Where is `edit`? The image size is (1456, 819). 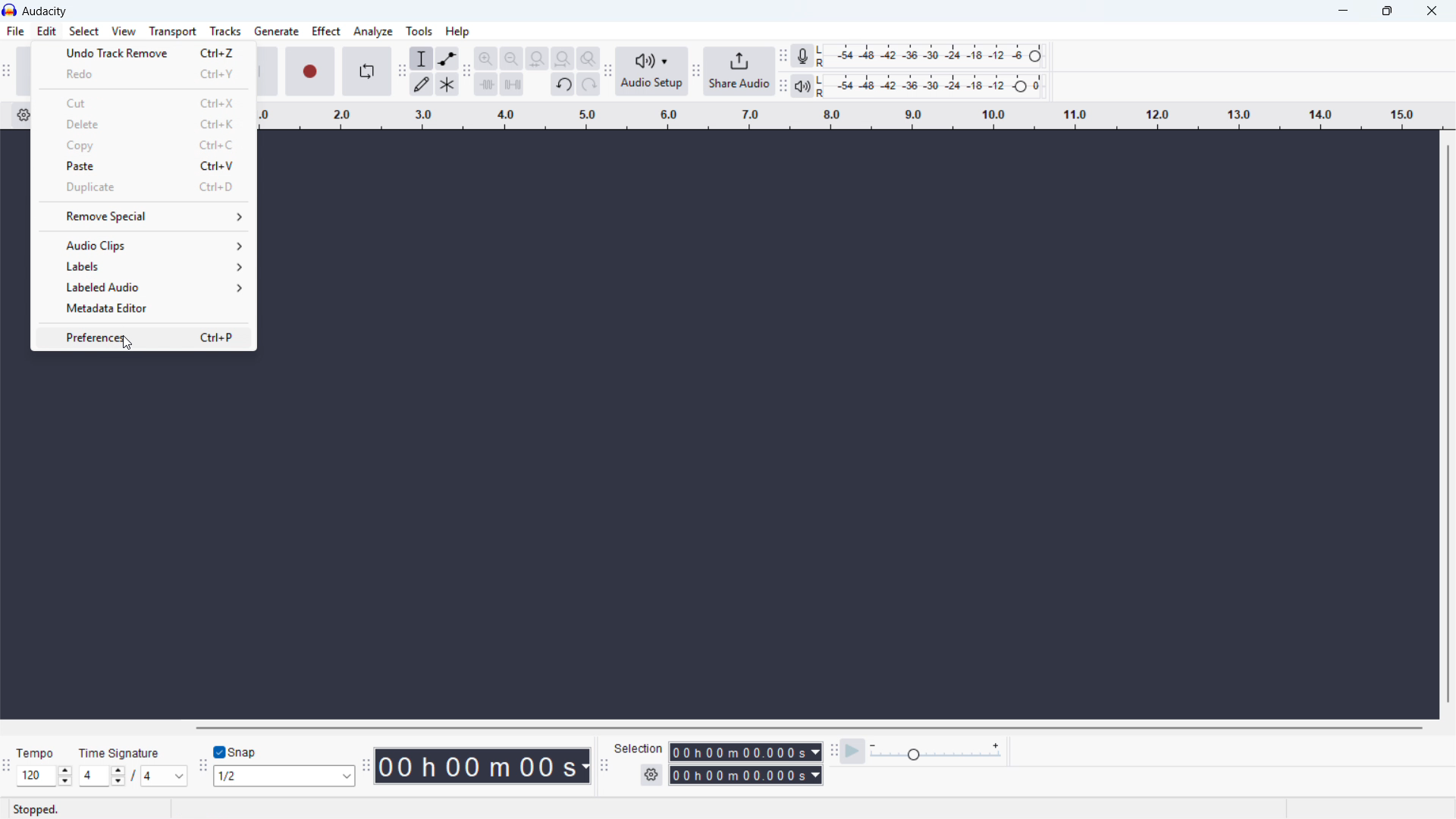
edit is located at coordinates (48, 32).